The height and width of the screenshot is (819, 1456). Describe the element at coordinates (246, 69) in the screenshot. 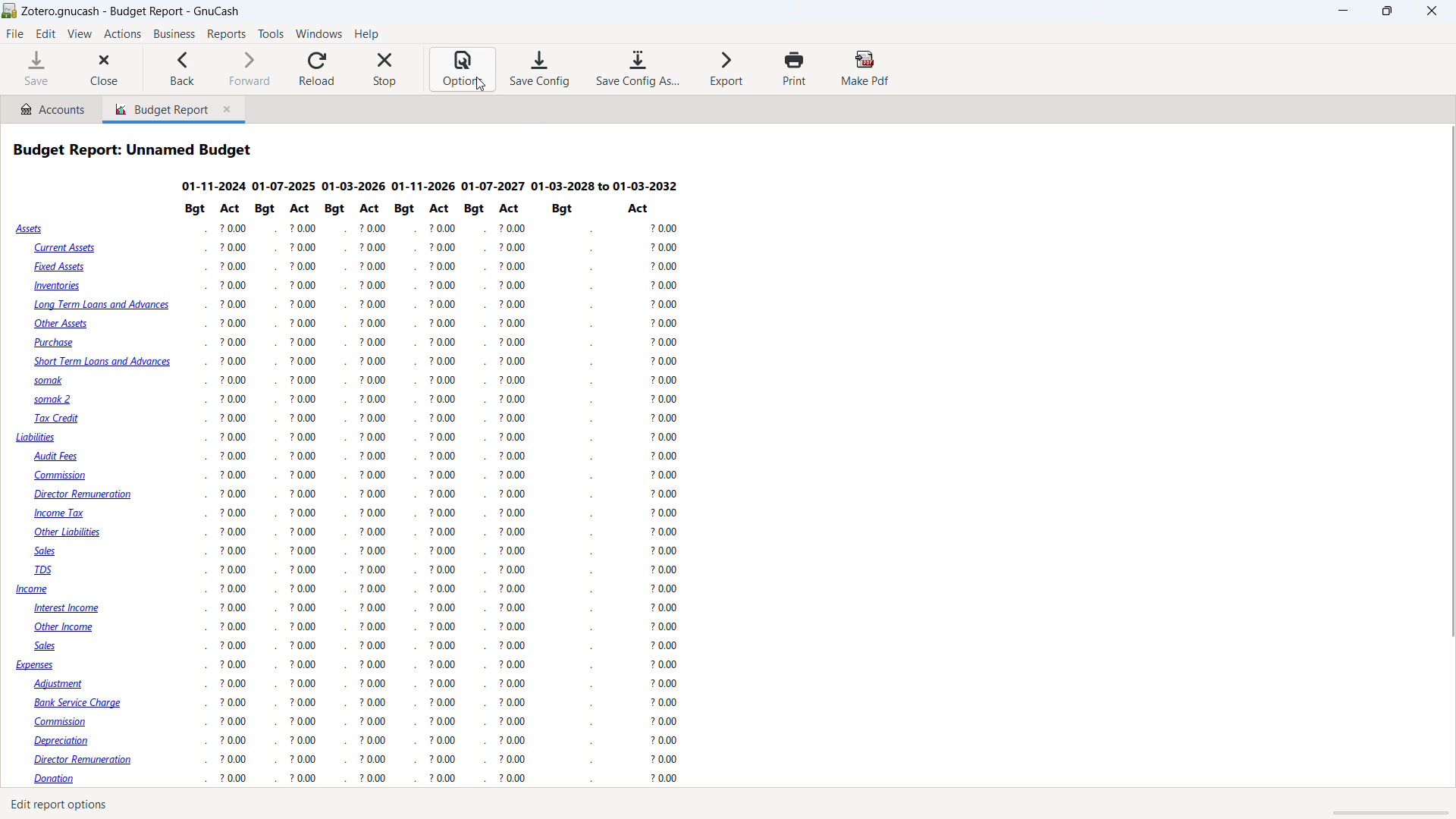

I see `forward` at that location.